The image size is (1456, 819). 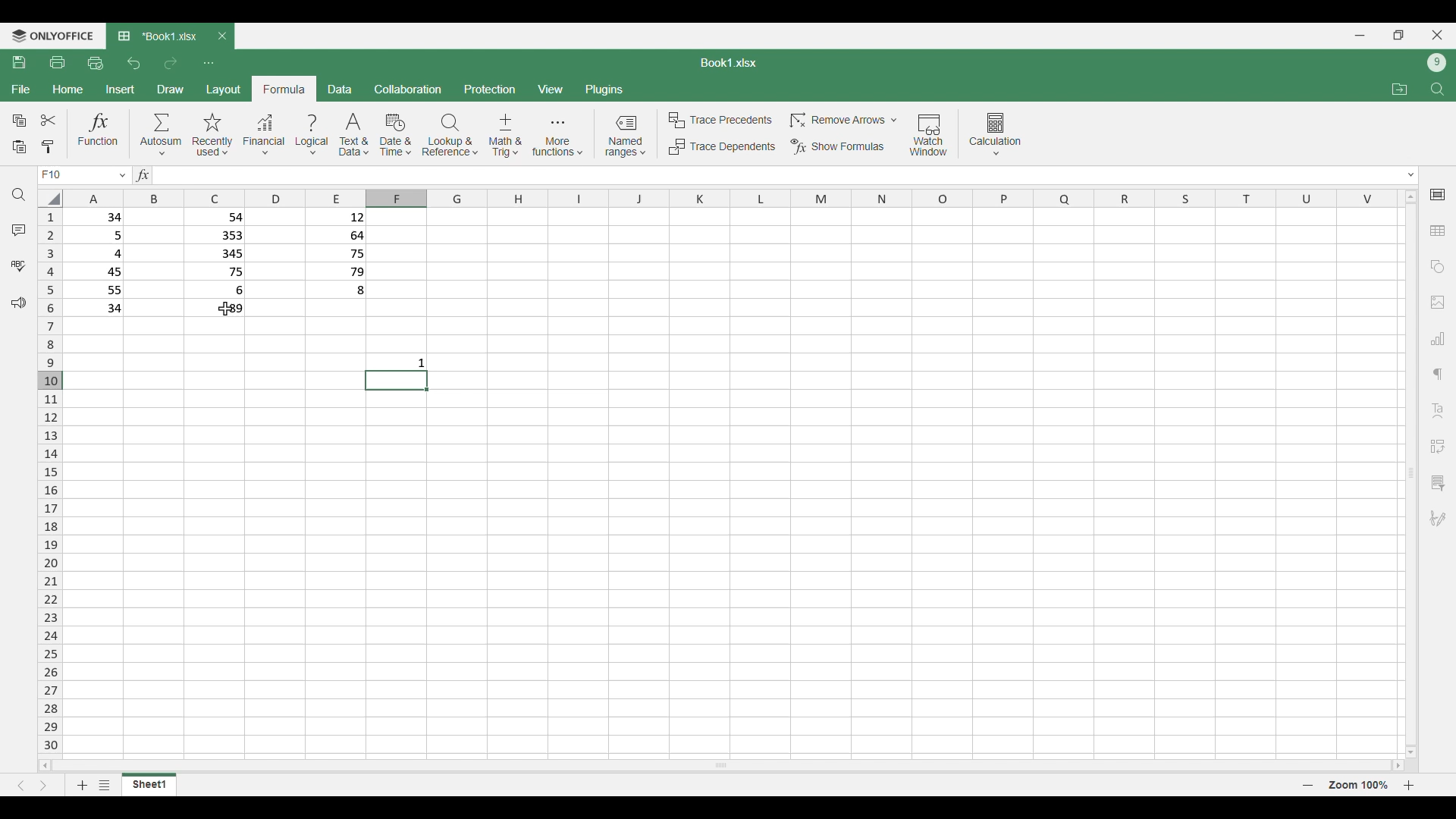 I want to click on Quick print, so click(x=96, y=64).